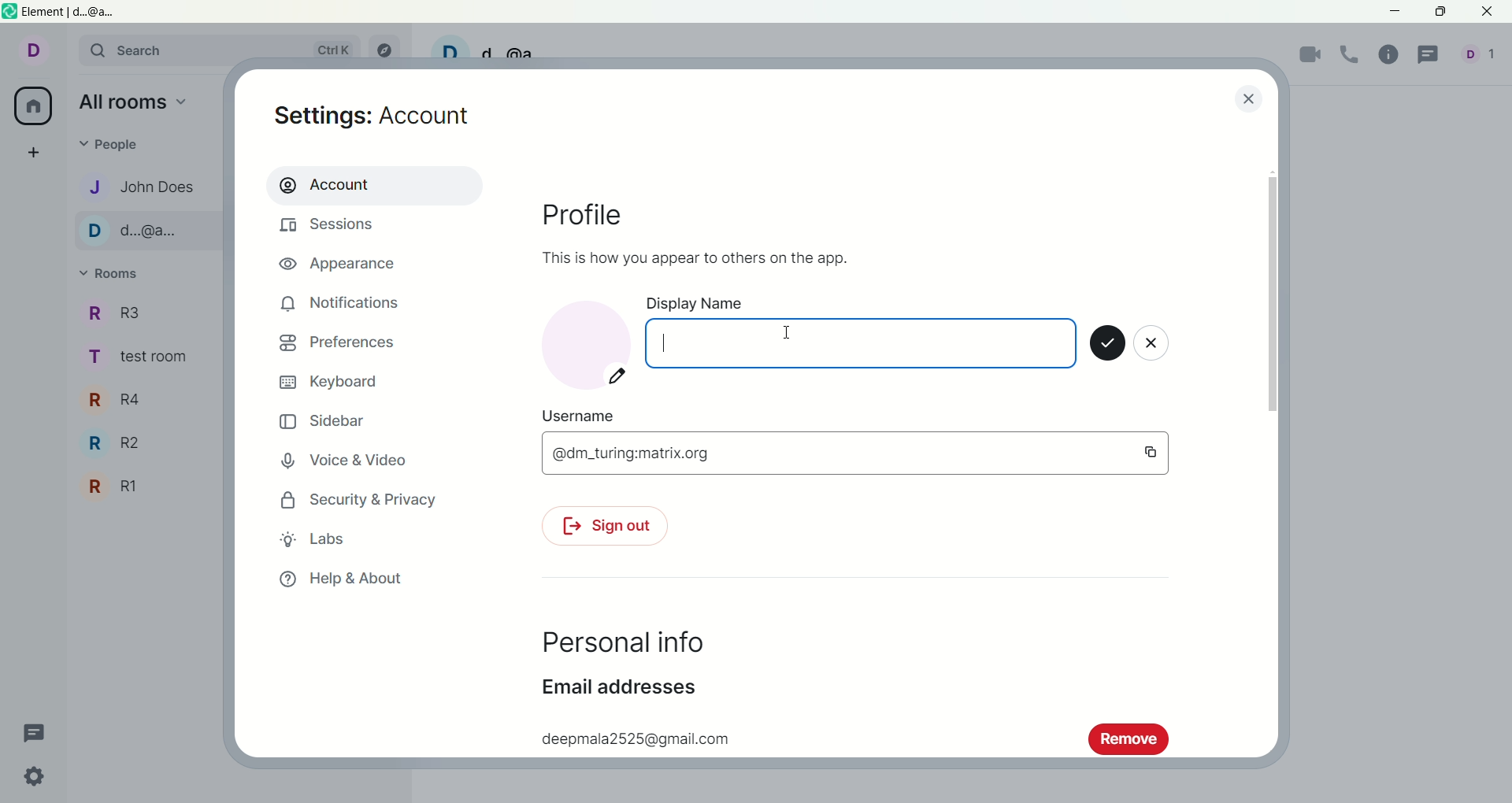  I want to click on R2, so click(122, 445).